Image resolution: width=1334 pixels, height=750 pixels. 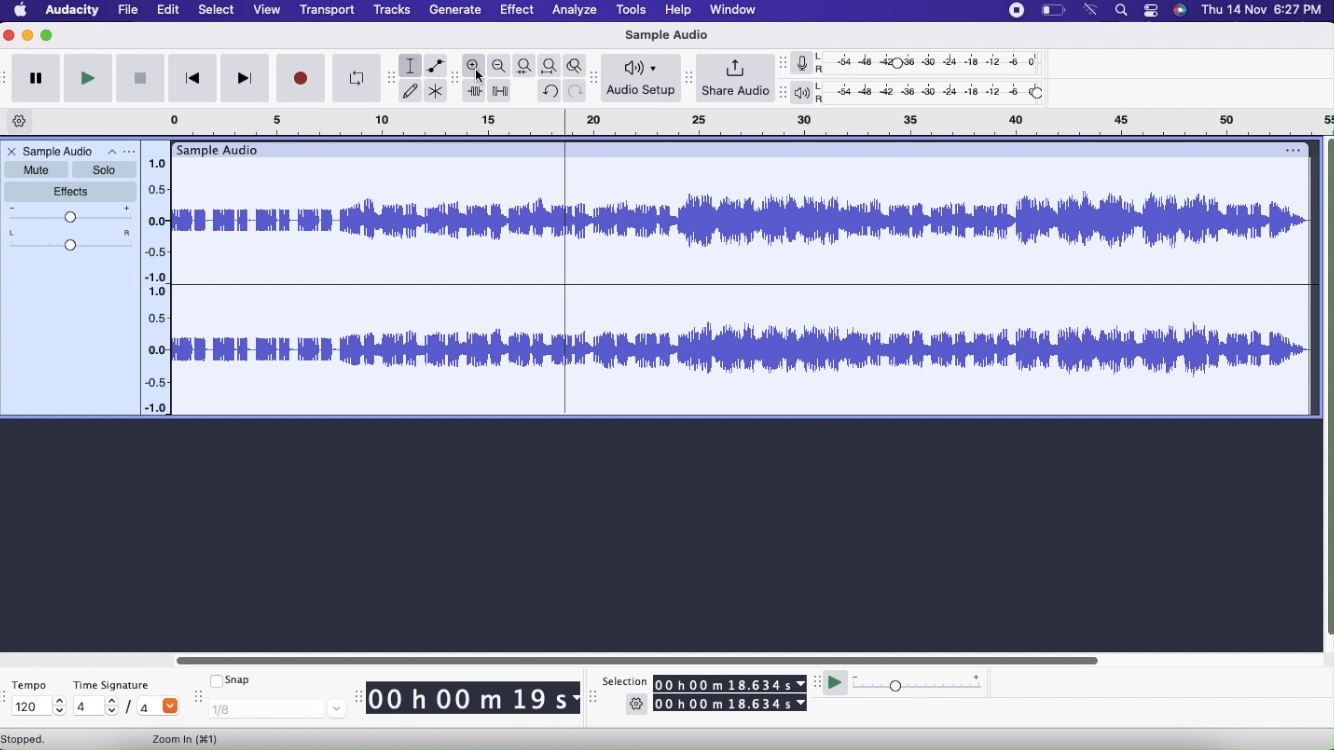 I want to click on Skip to start, so click(x=193, y=78).